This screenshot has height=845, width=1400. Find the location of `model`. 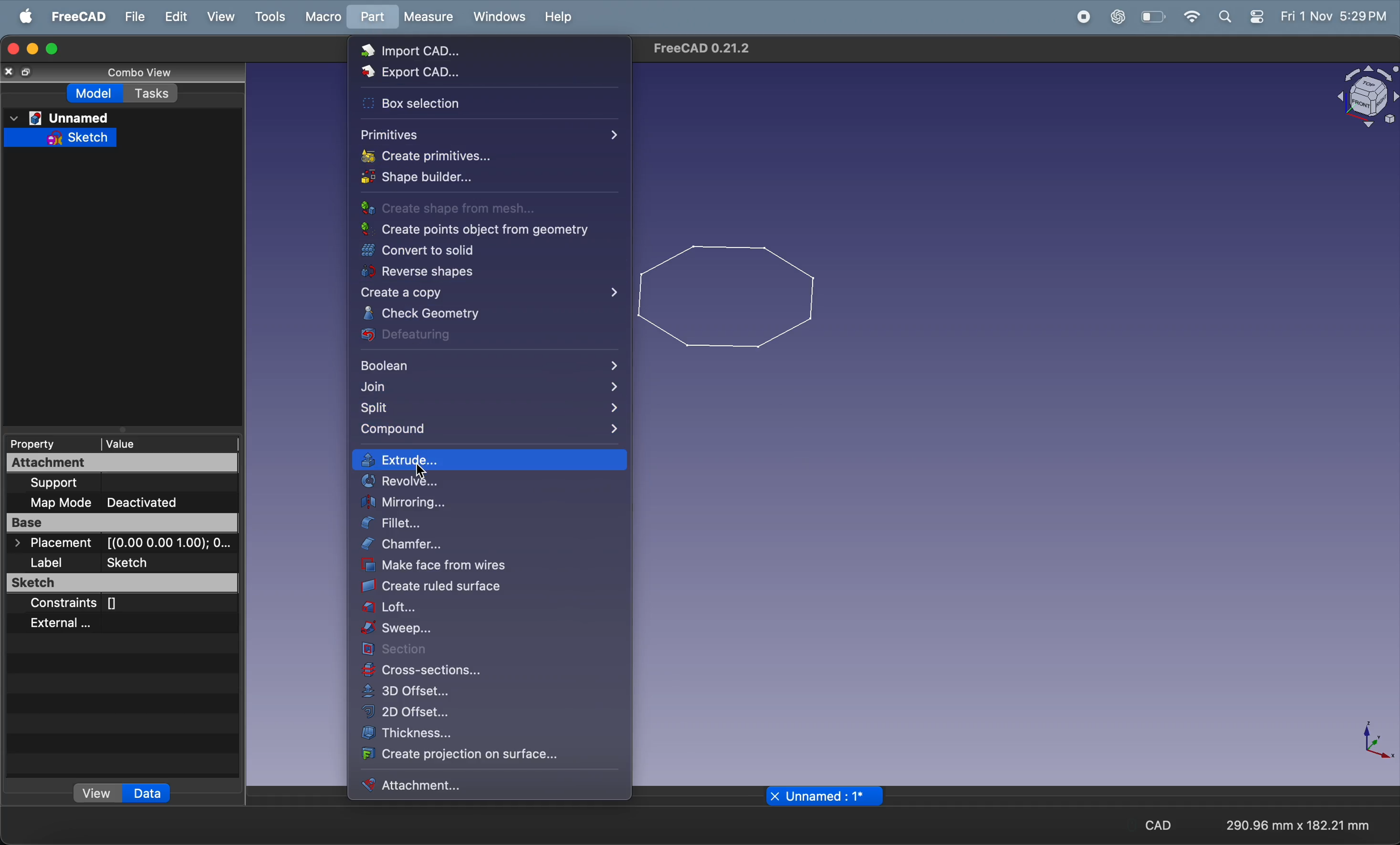

model is located at coordinates (90, 93).